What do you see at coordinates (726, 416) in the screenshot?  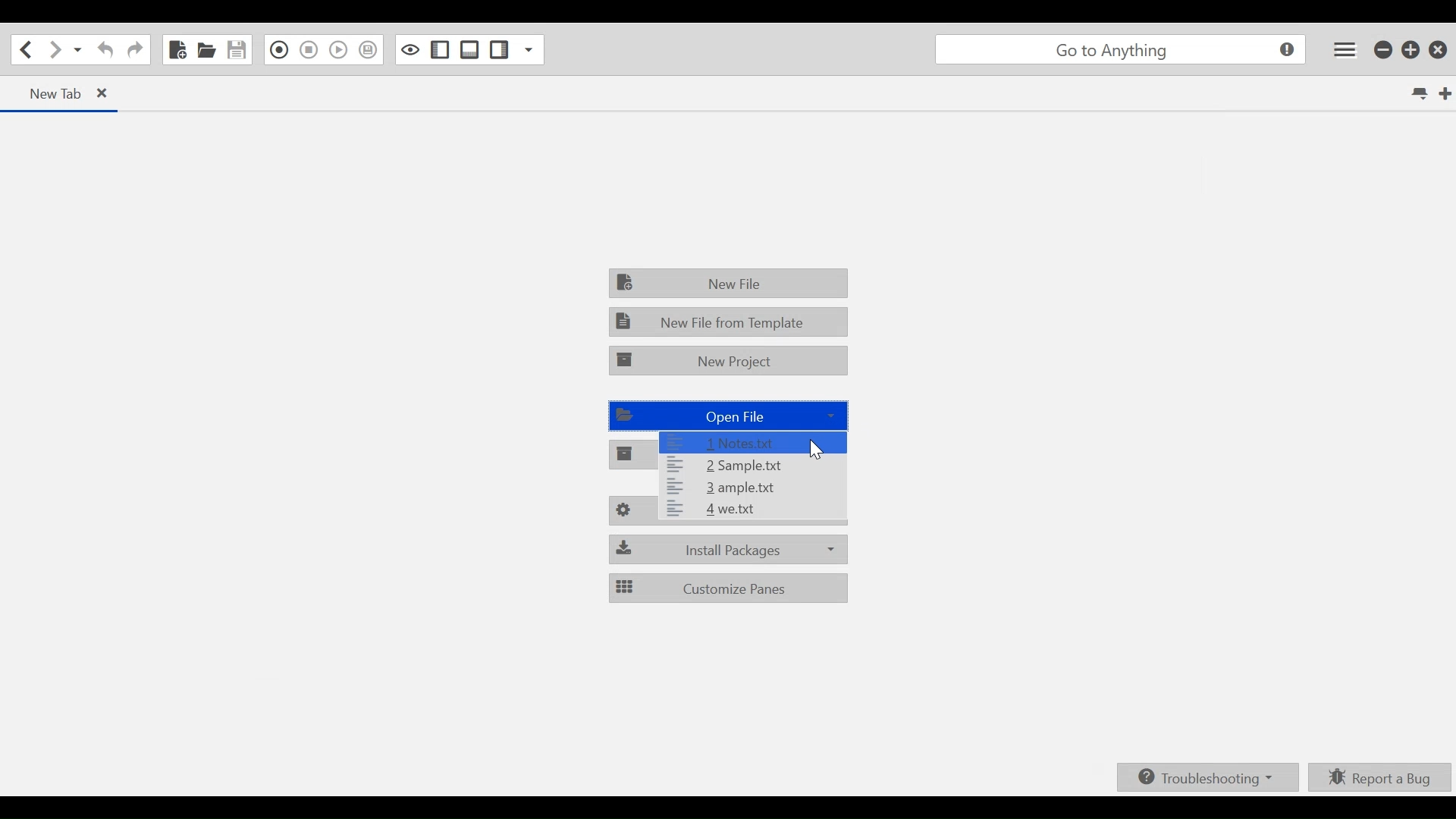 I see `Open File` at bounding box center [726, 416].